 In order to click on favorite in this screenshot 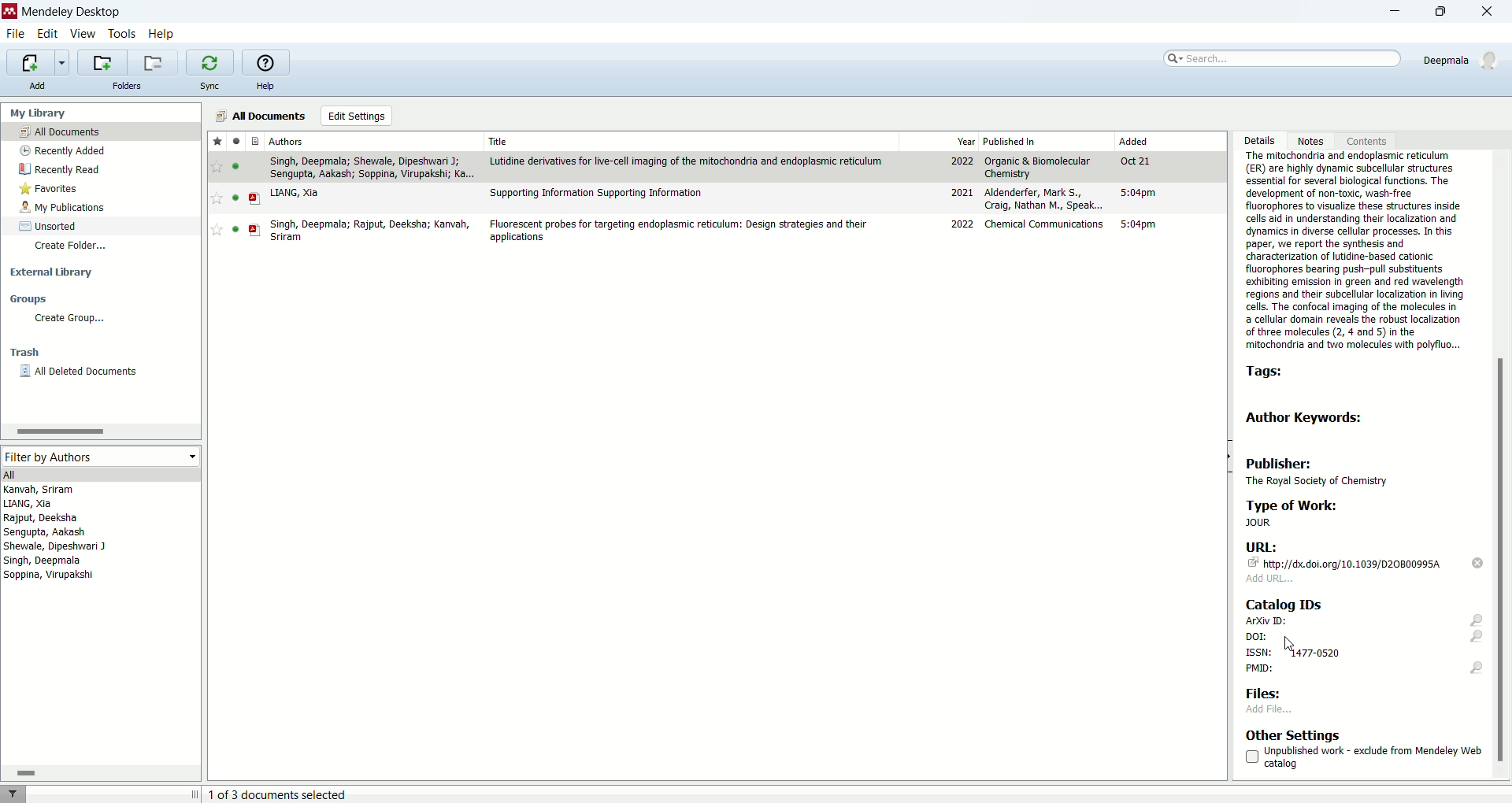, I will do `click(217, 198)`.